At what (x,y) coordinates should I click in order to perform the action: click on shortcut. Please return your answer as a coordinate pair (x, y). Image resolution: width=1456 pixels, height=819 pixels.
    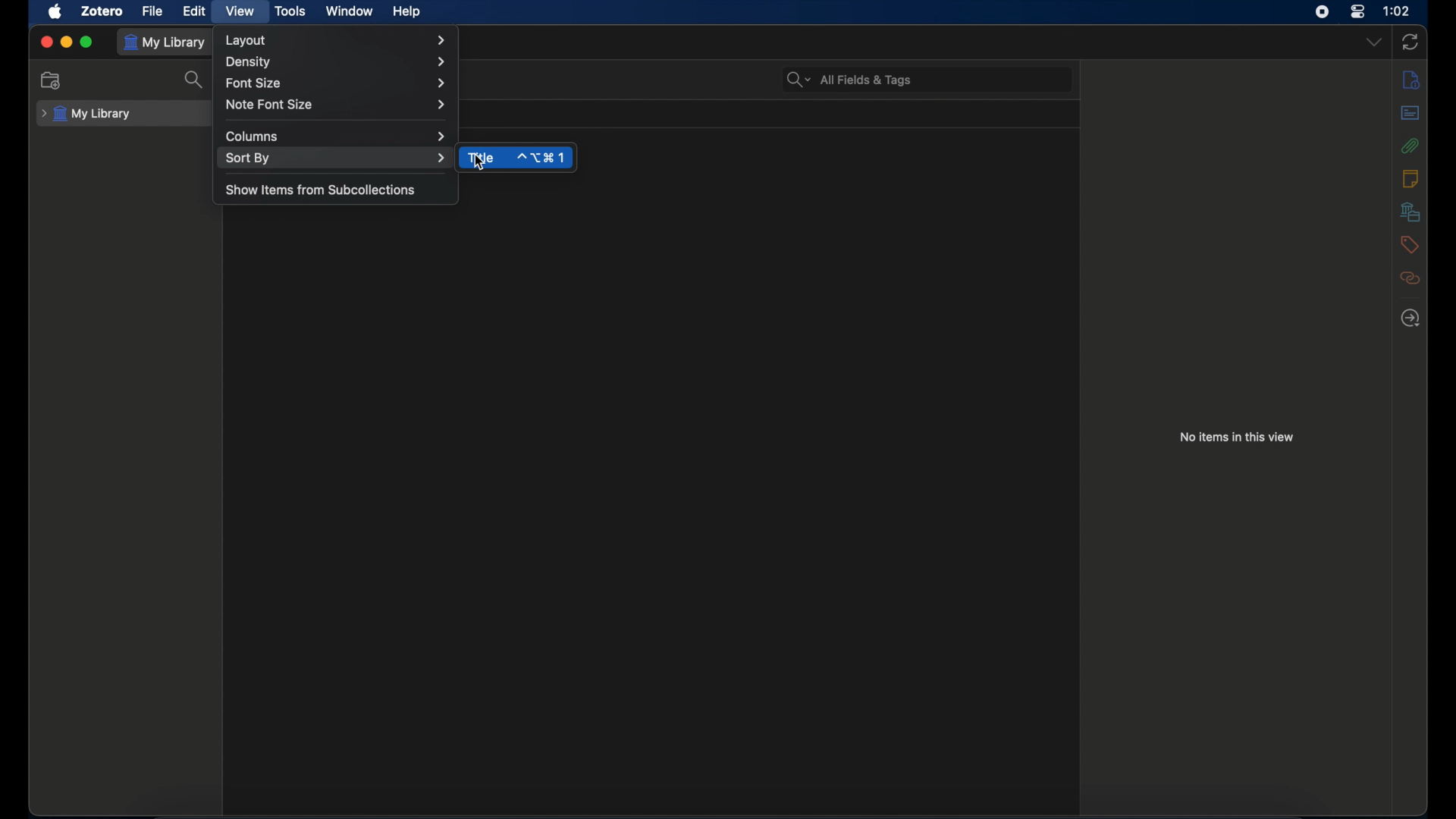
    Looking at the image, I should click on (543, 158).